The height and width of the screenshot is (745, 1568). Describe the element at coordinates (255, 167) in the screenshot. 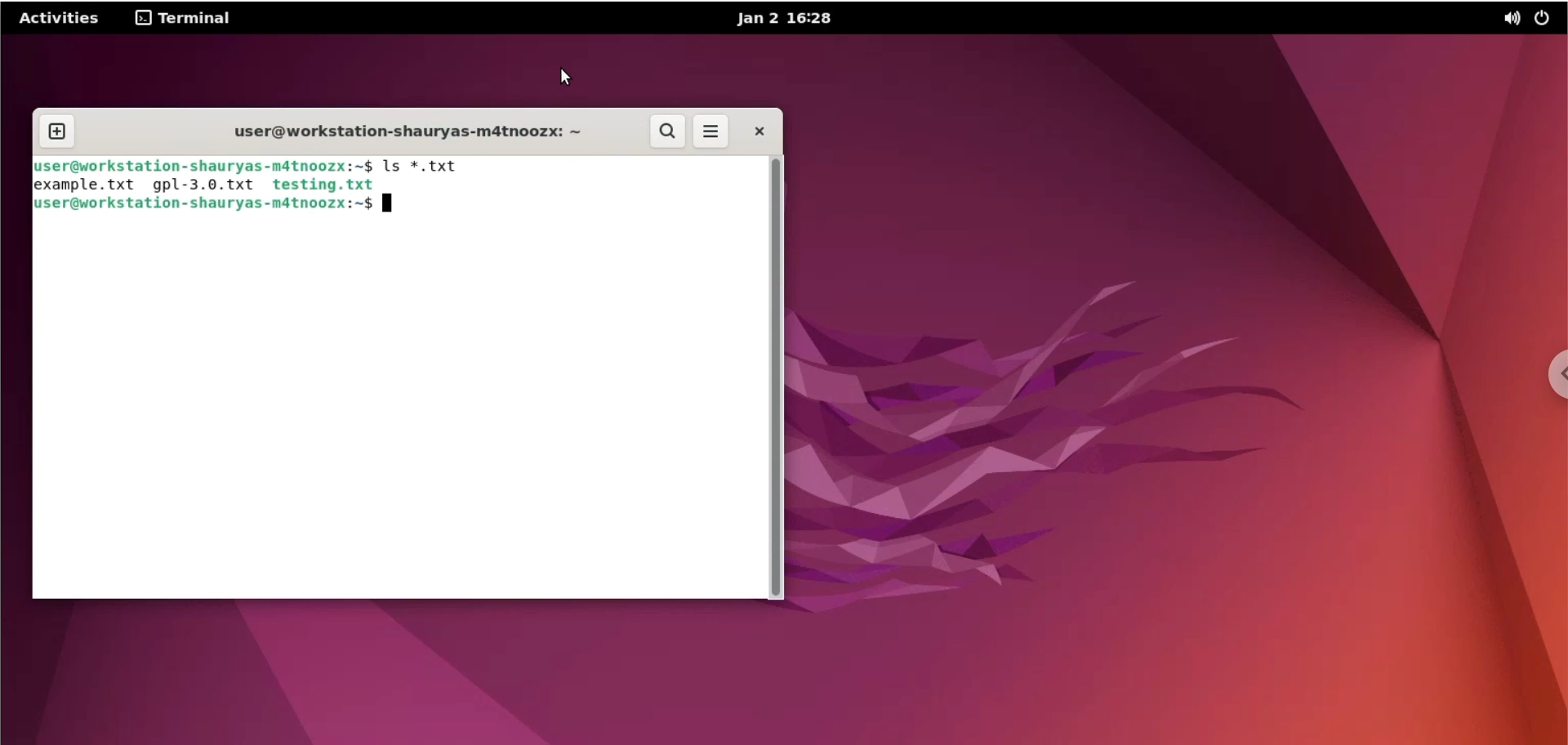

I see `puser@workstation-shauryas-m4tnoozx:~$ ls *.txt` at that location.